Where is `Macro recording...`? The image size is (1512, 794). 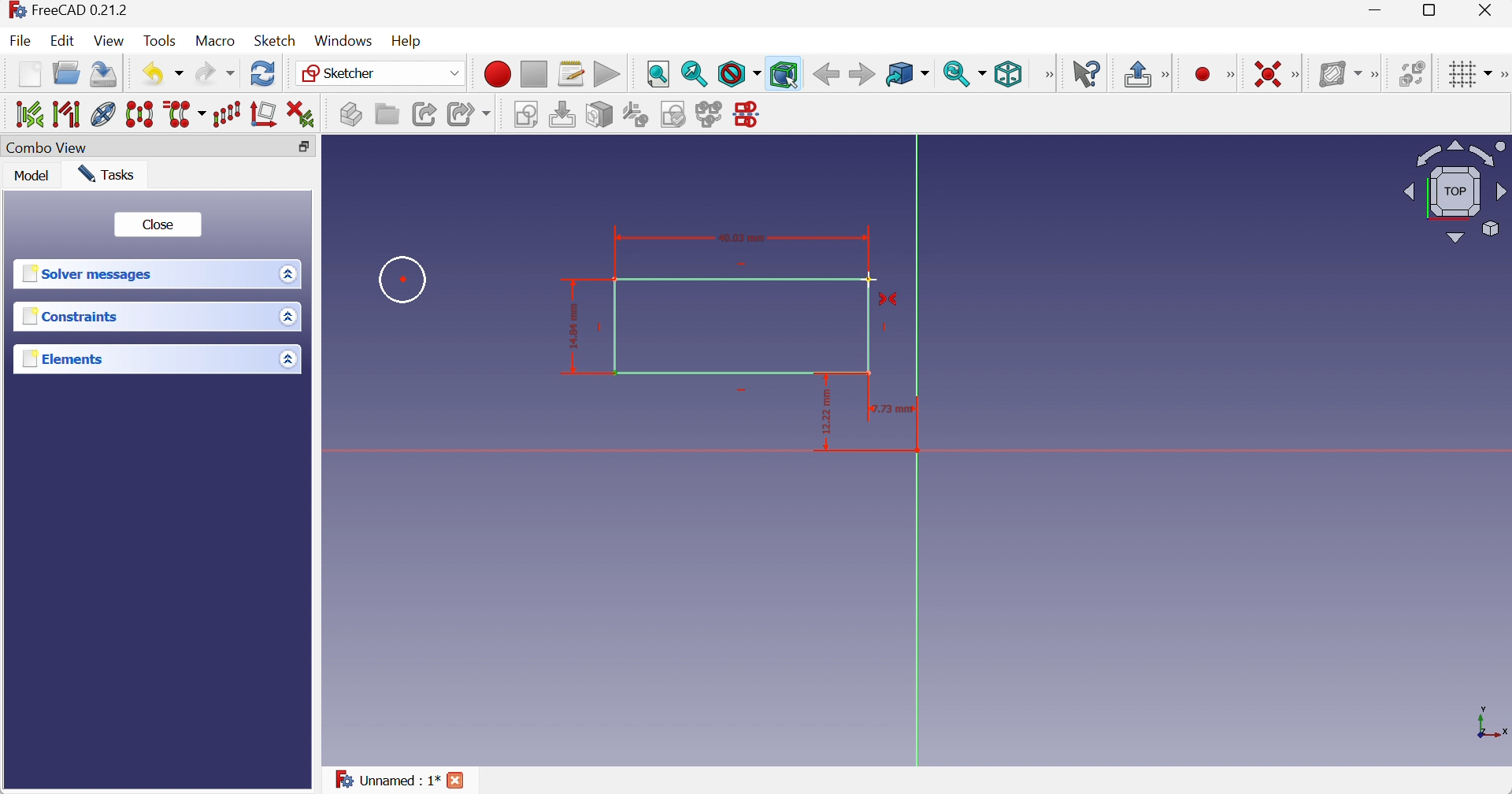
Macro recording... is located at coordinates (497, 74).